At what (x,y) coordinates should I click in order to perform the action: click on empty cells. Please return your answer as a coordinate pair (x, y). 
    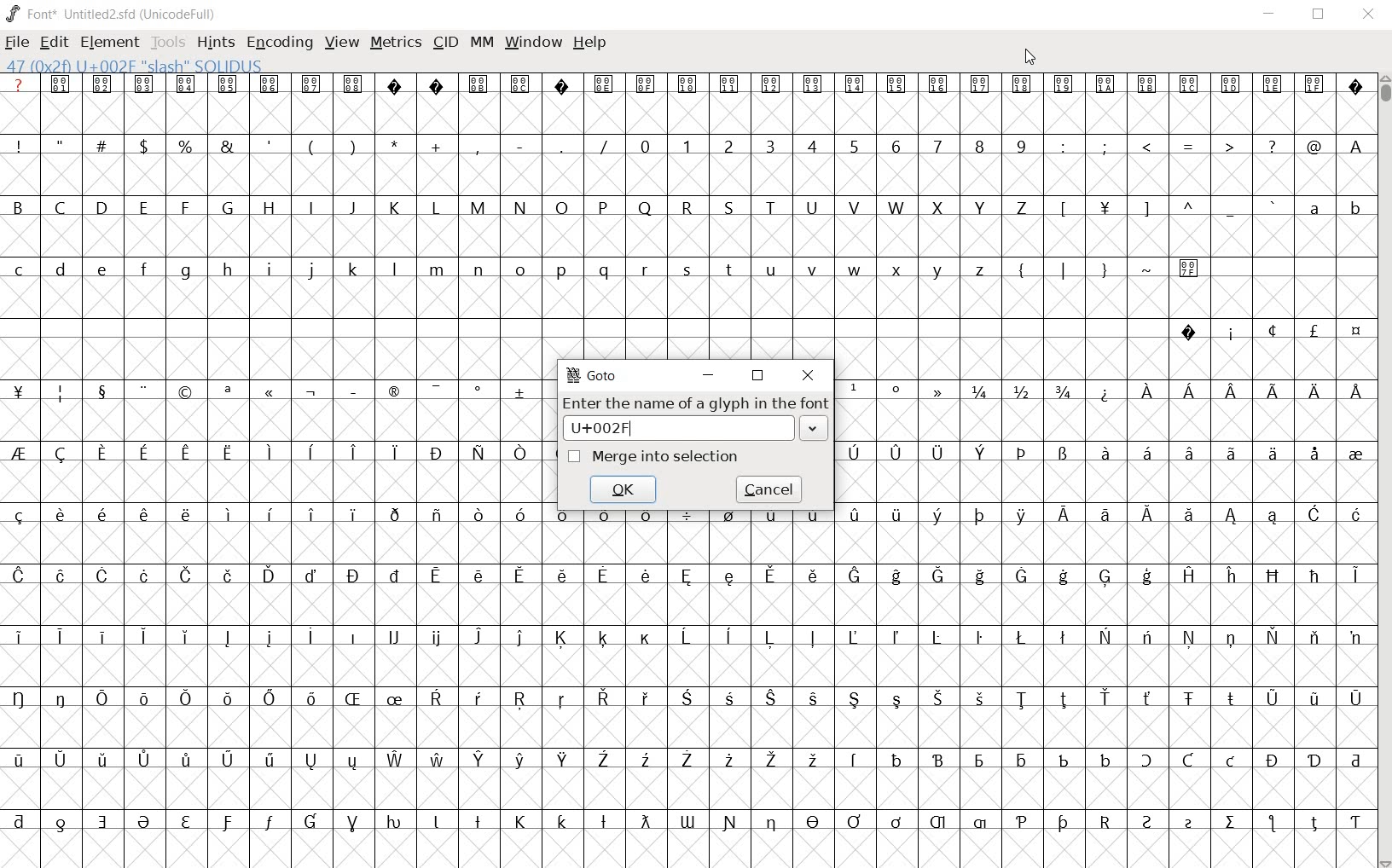
    Looking at the image, I should click on (287, 420).